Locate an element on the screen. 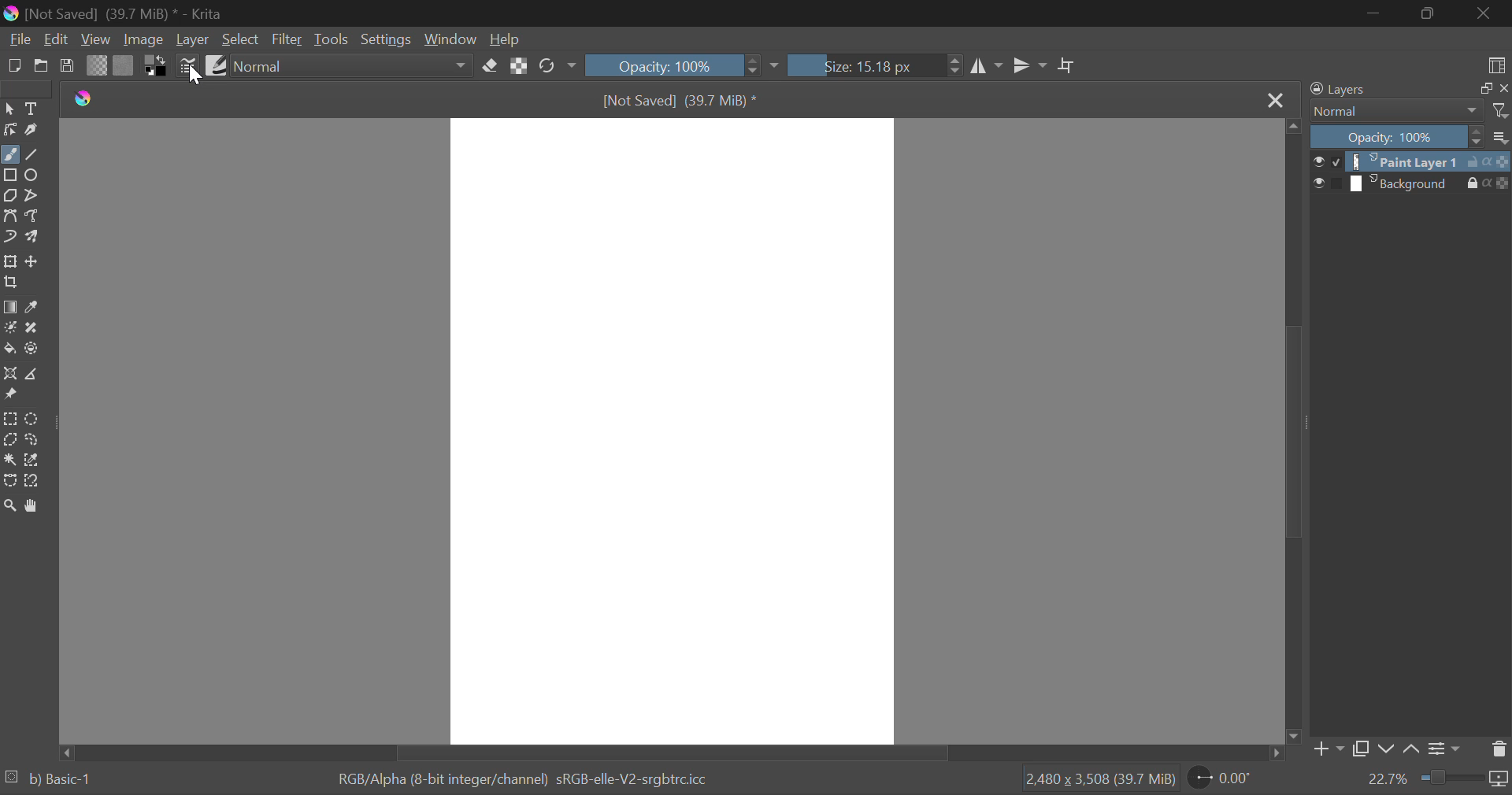 This screenshot has width=1512, height=795. Text is located at coordinates (31, 109).